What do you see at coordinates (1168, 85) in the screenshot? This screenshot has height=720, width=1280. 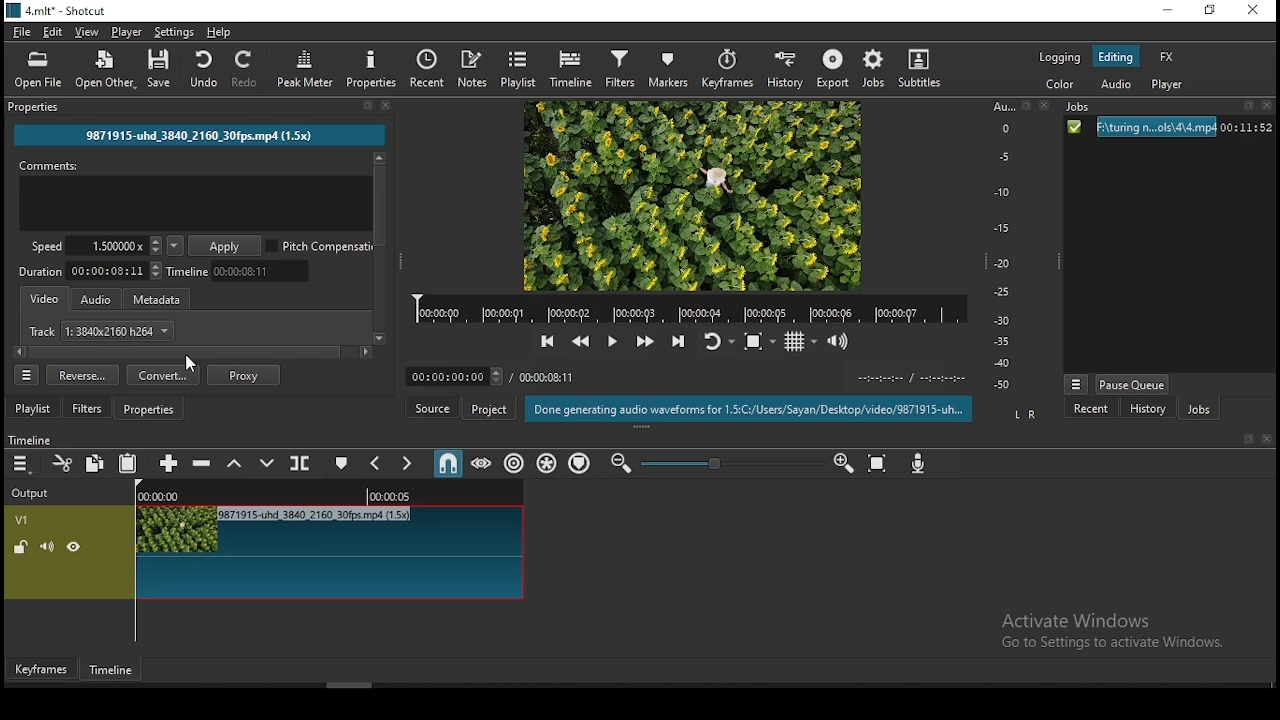 I see `player` at bounding box center [1168, 85].